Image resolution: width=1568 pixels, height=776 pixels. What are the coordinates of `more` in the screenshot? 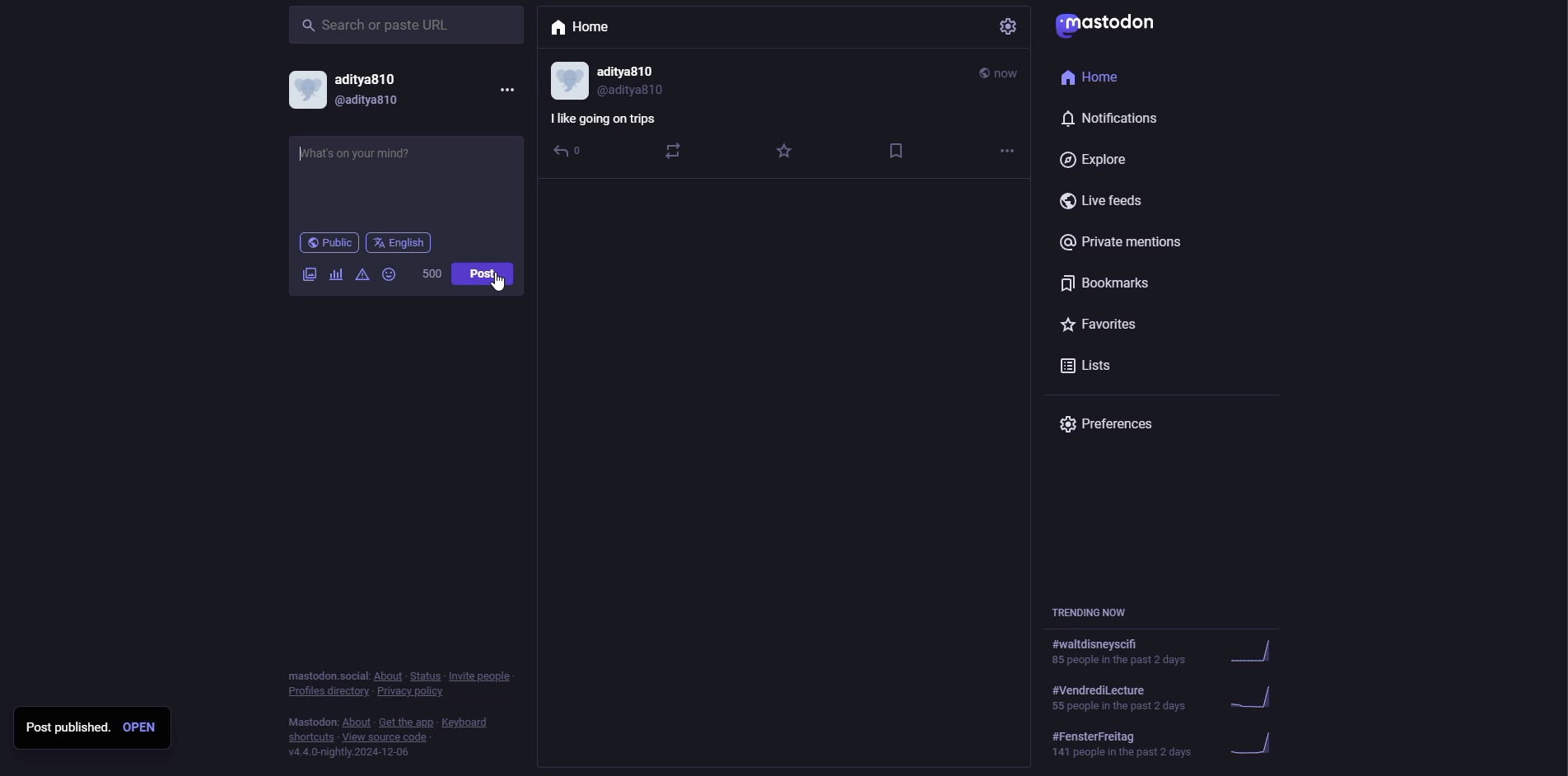 It's located at (1006, 149).